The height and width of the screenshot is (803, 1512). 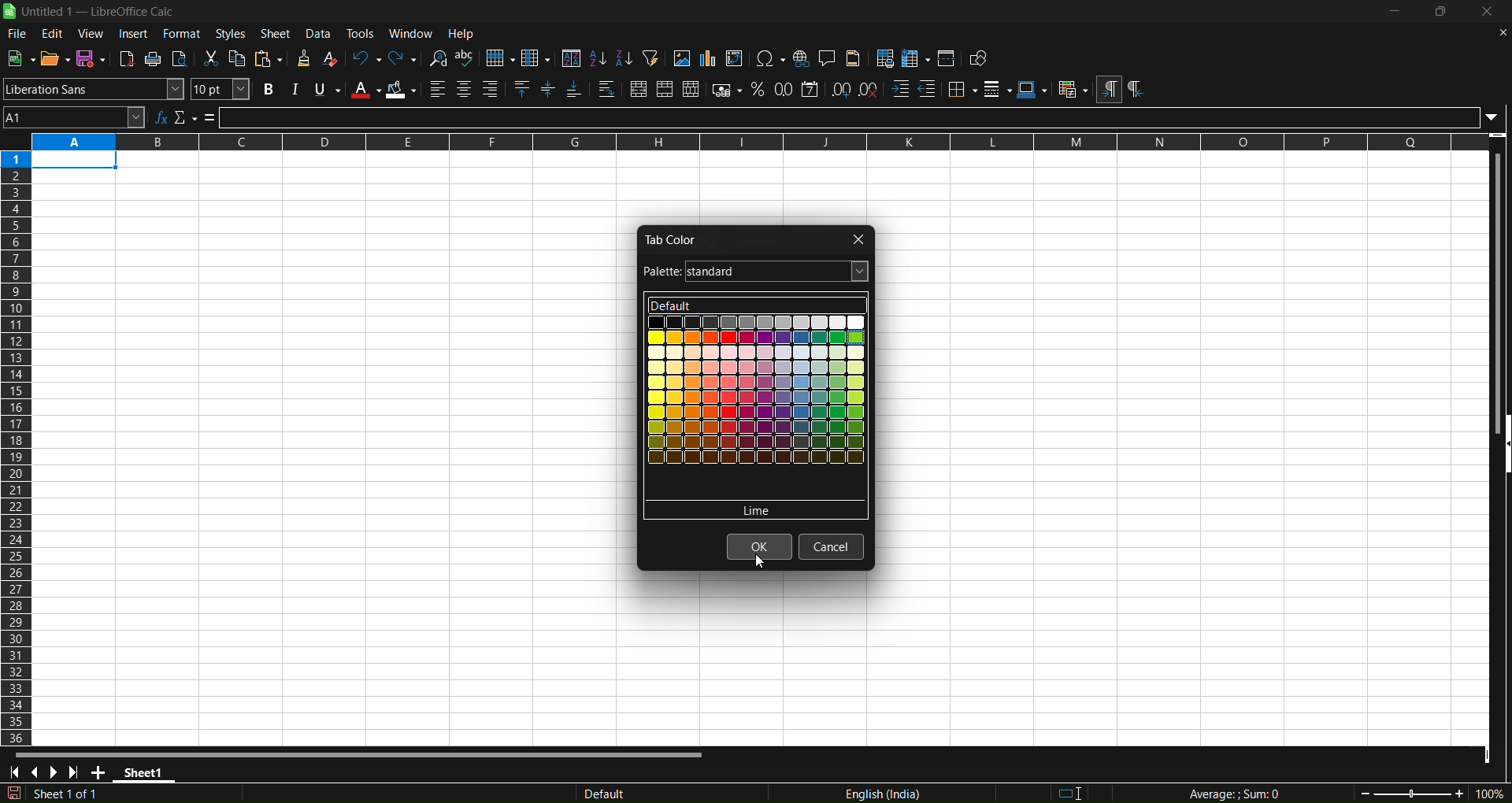 What do you see at coordinates (1135, 90) in the screenshot?
I see `right to left` at bounding box center [1135, 90].